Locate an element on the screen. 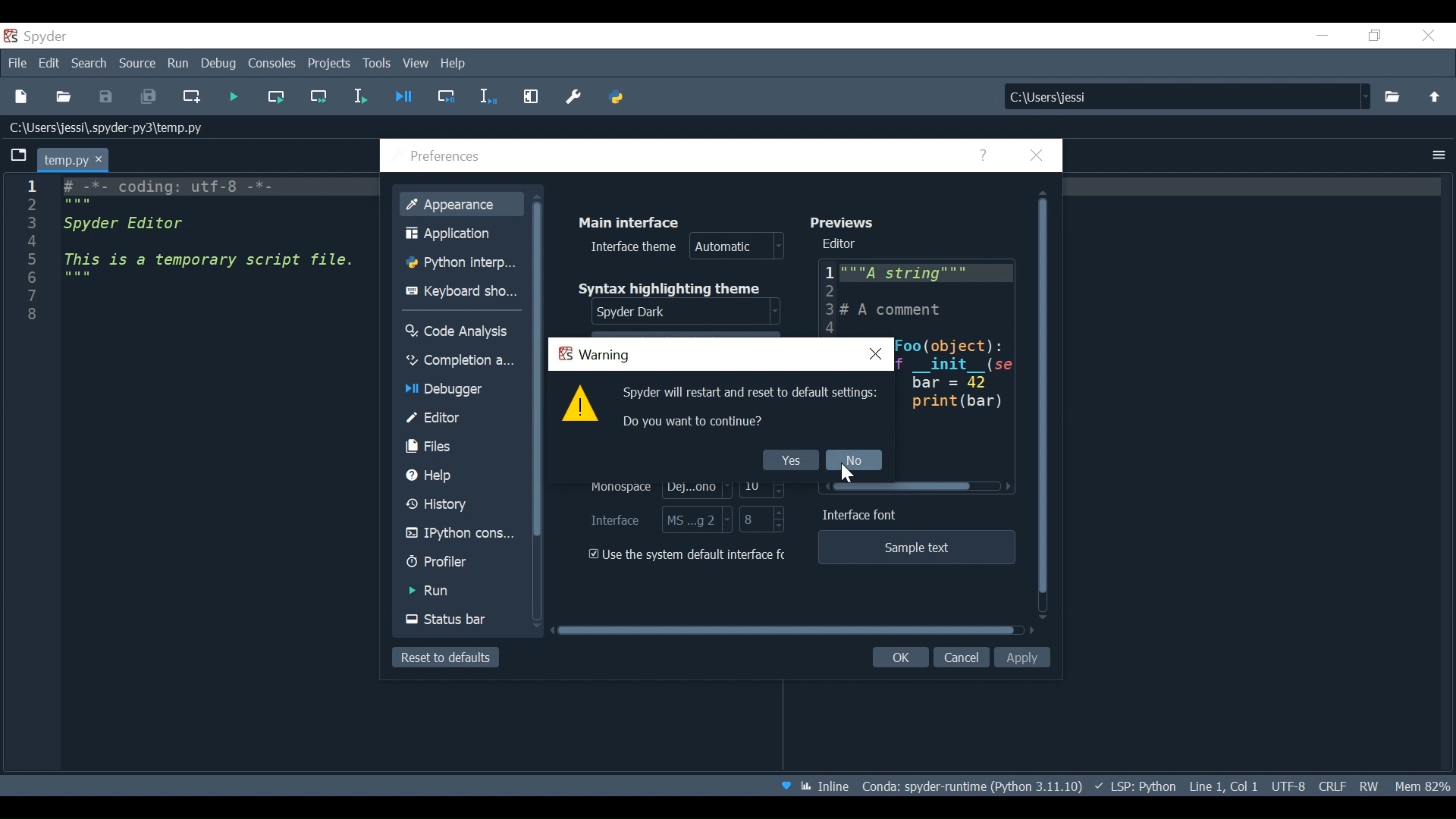 Image resolution: width=1456 pixels, height=819 pixels. Interface theme is located at coordinates (683, 247).